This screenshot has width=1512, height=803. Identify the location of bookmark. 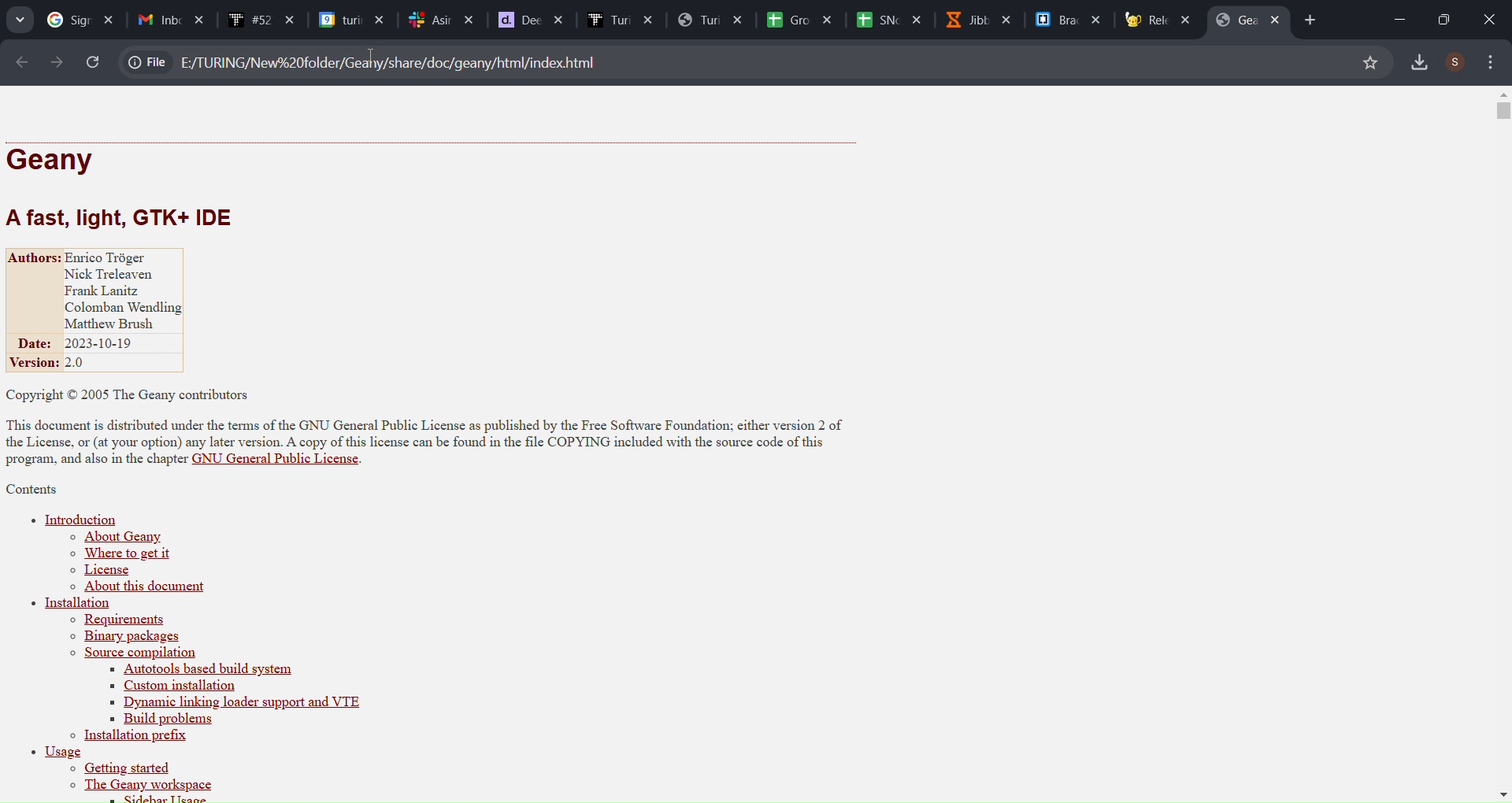
(1369, 62).